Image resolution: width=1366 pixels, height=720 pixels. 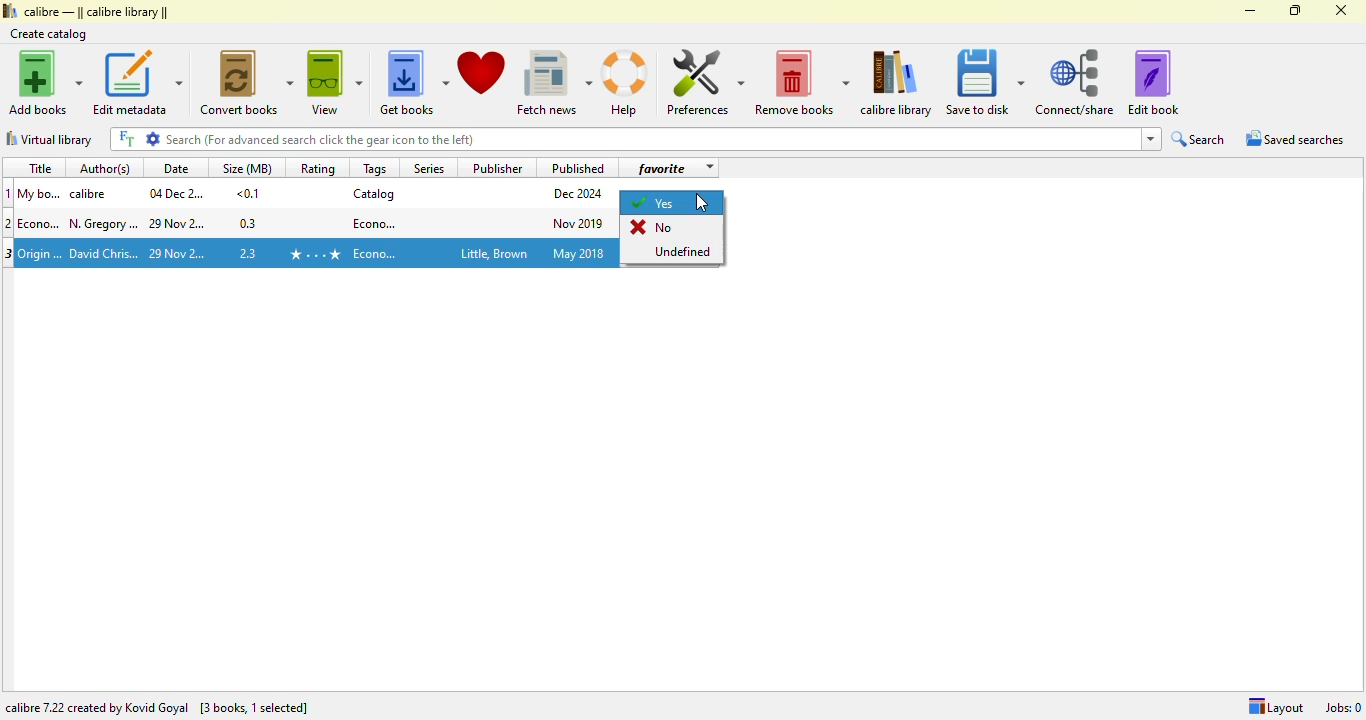 I want to click on size, so click(x=248, y=193).